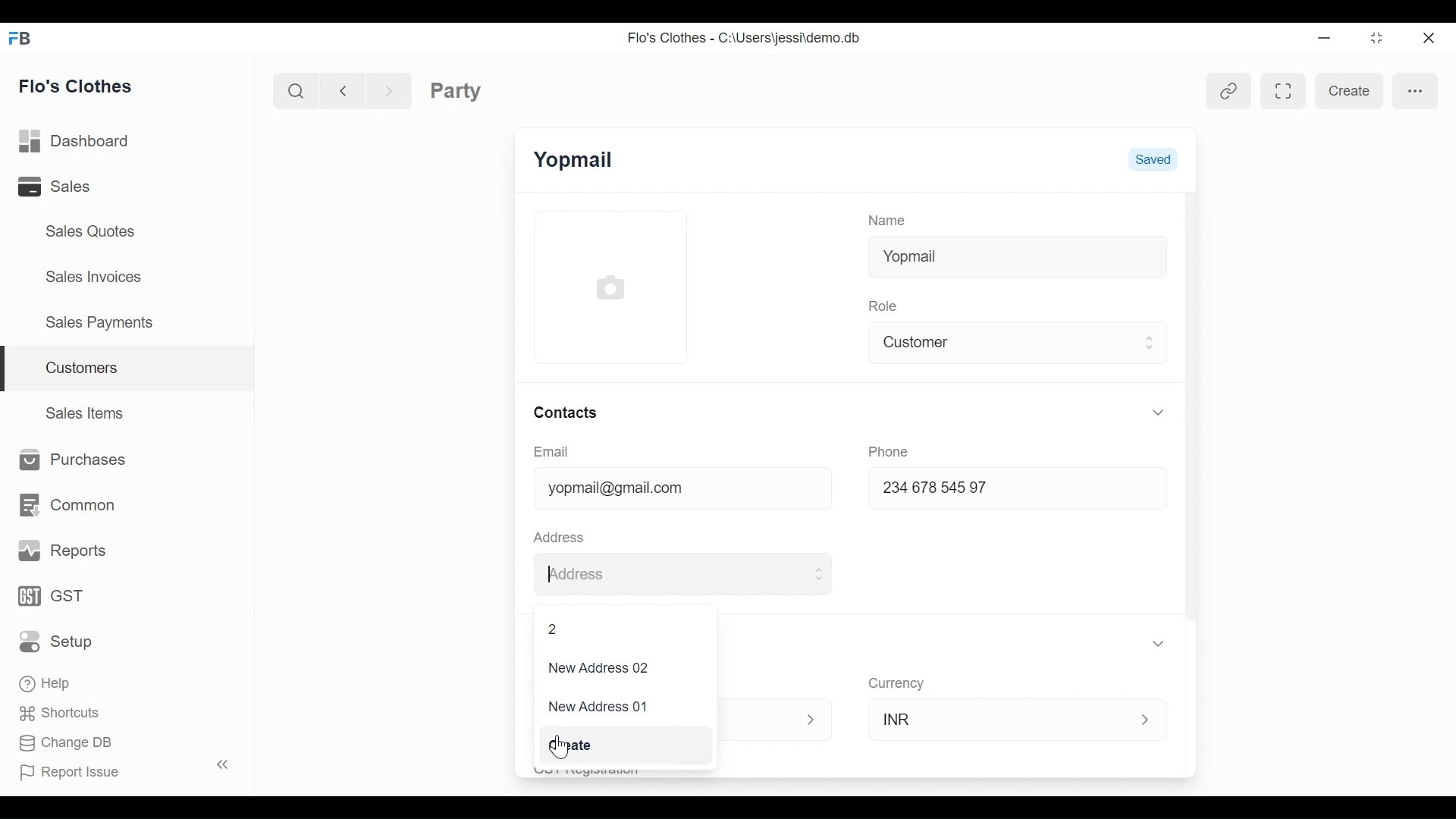 The height and width of the screenshot is (819, 1456). What do you see at coordinates (65, 505) in the screenshot?
I see `Common` at bounding box center [65, 505].